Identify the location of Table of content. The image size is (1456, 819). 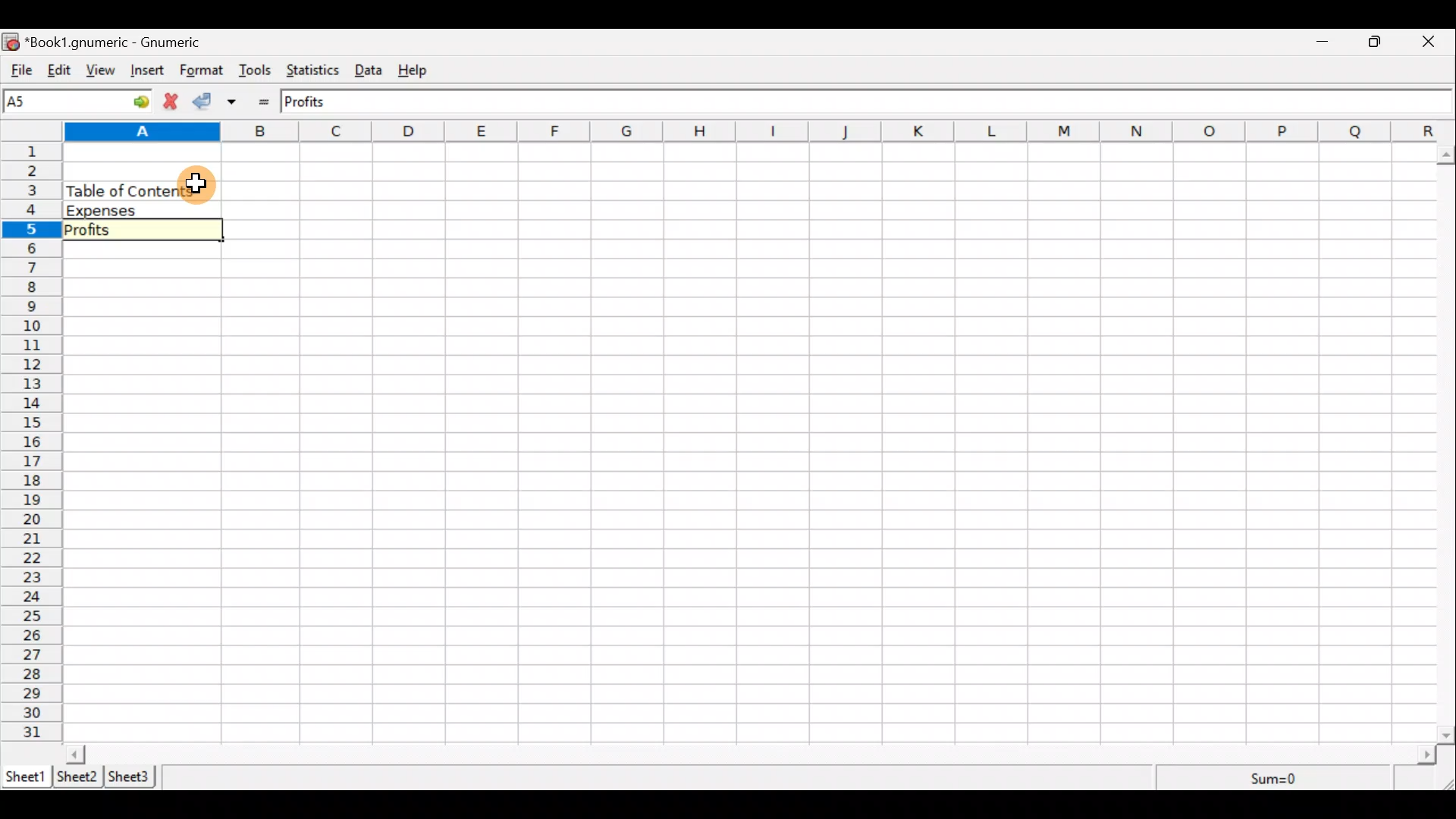
(122, 190).